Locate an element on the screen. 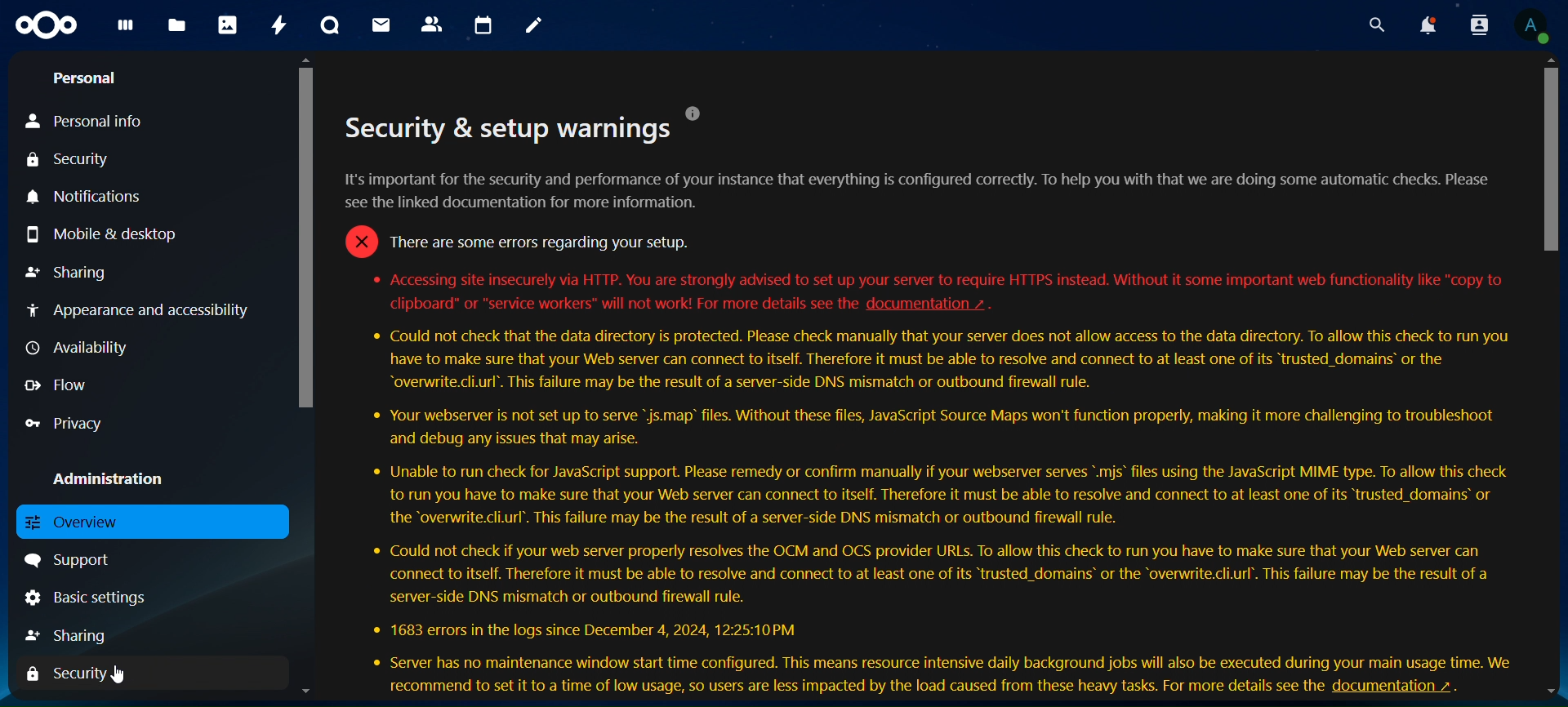 Image resolution: width=1568 pixels, height=707 pixels. personal info is located at coordinates (87, 122).